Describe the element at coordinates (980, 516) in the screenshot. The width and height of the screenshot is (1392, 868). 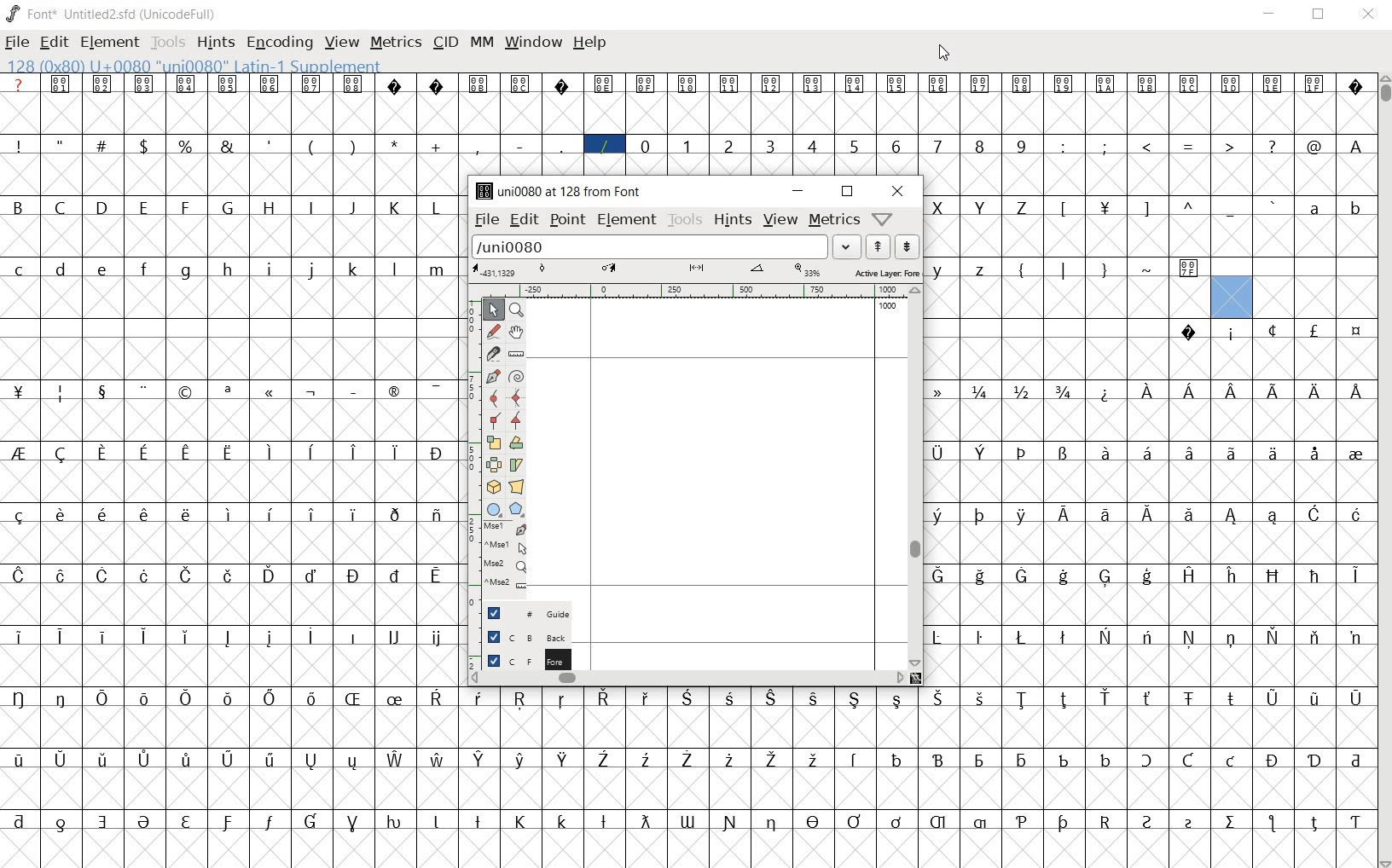
I see `glyph` at that location.